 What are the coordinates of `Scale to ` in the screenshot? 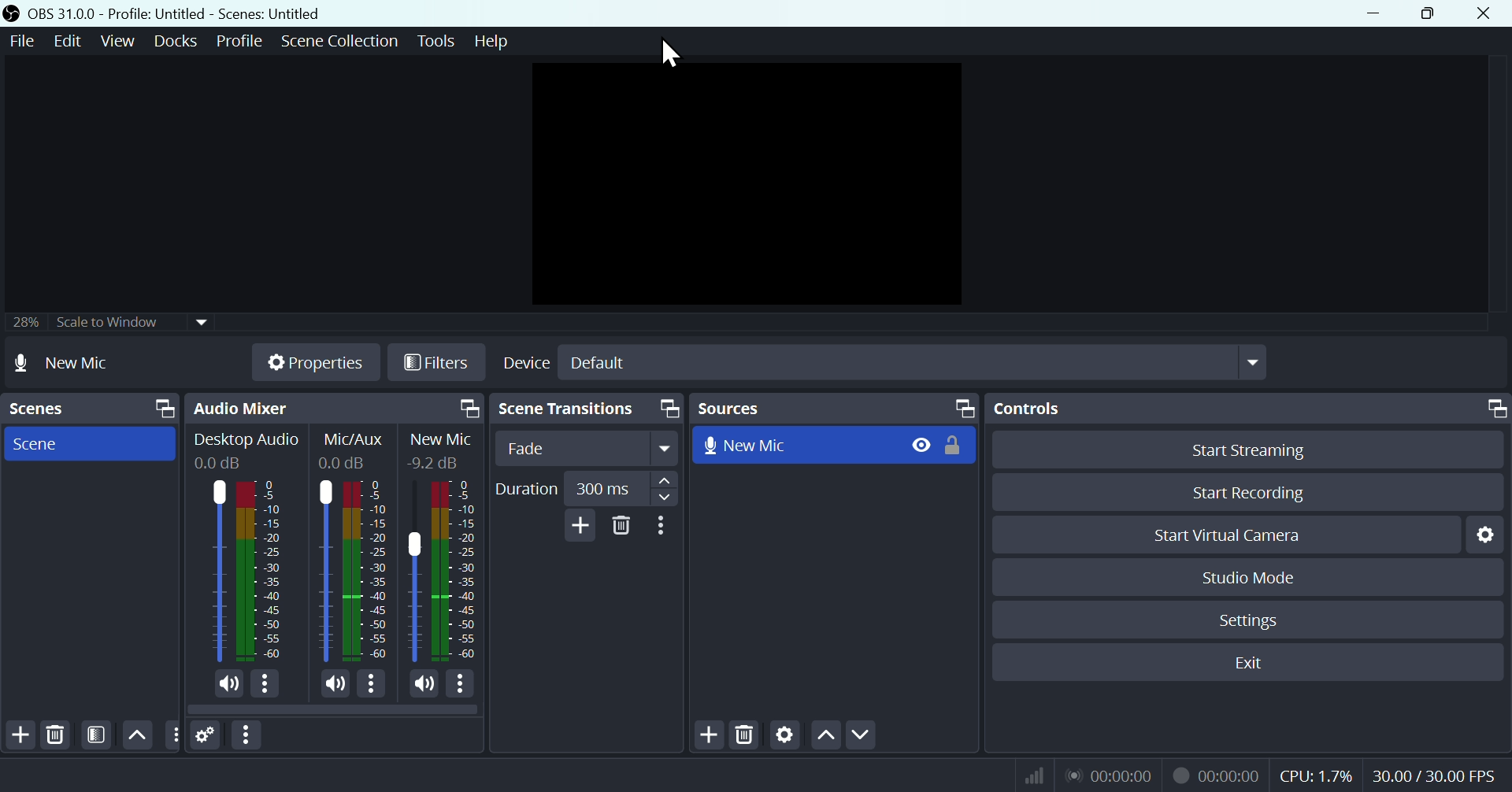 It's located at (103, 324).